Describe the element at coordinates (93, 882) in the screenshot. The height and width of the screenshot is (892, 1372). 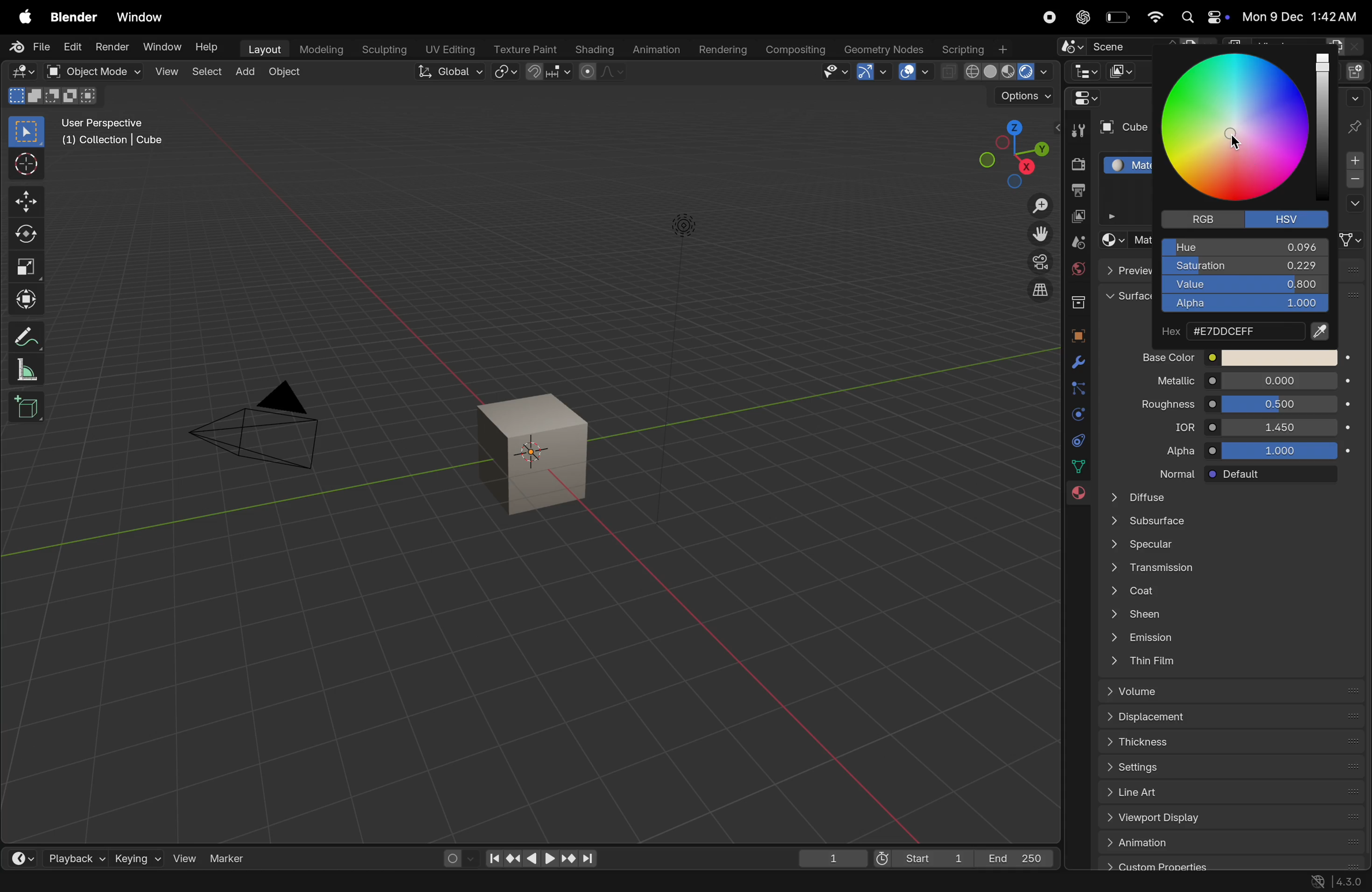
I see `modifier` at that location.